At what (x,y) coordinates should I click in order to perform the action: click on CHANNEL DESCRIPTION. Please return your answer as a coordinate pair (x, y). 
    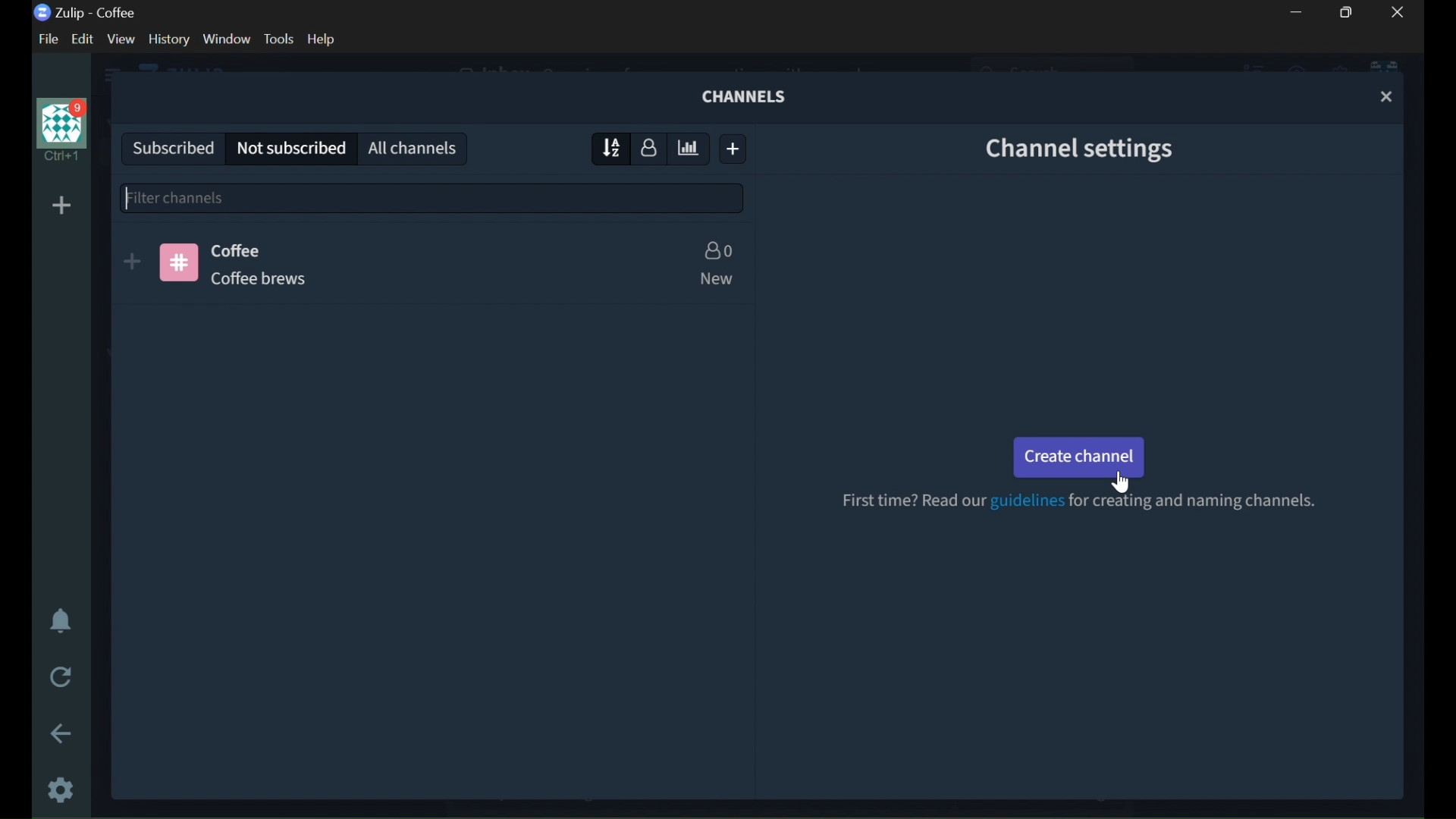
    Looking at the image, I should click on (275, 278).